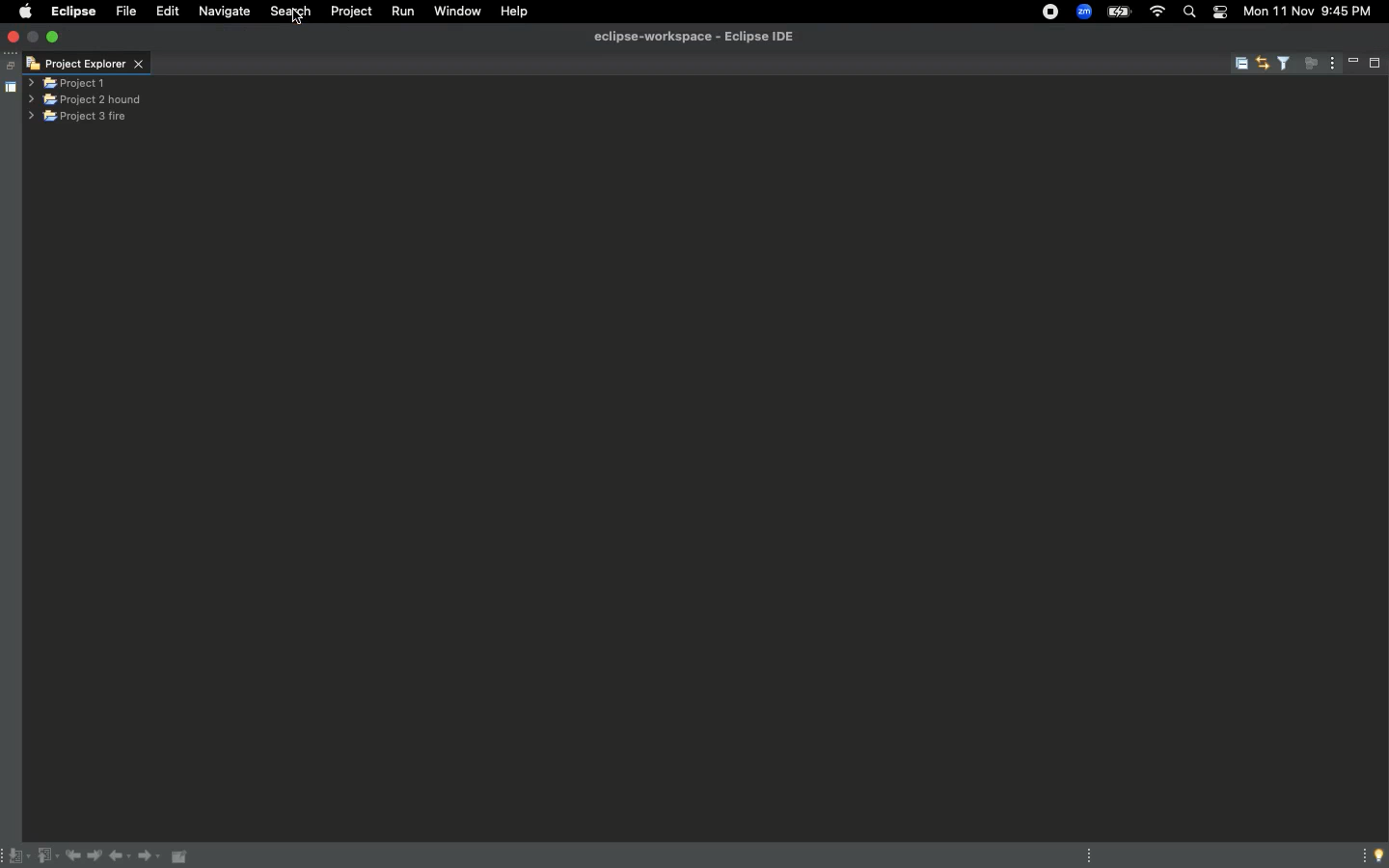 The width and height of the screenshot is (1389, 868). I want to click on Previous edit location, so click(76, 856).